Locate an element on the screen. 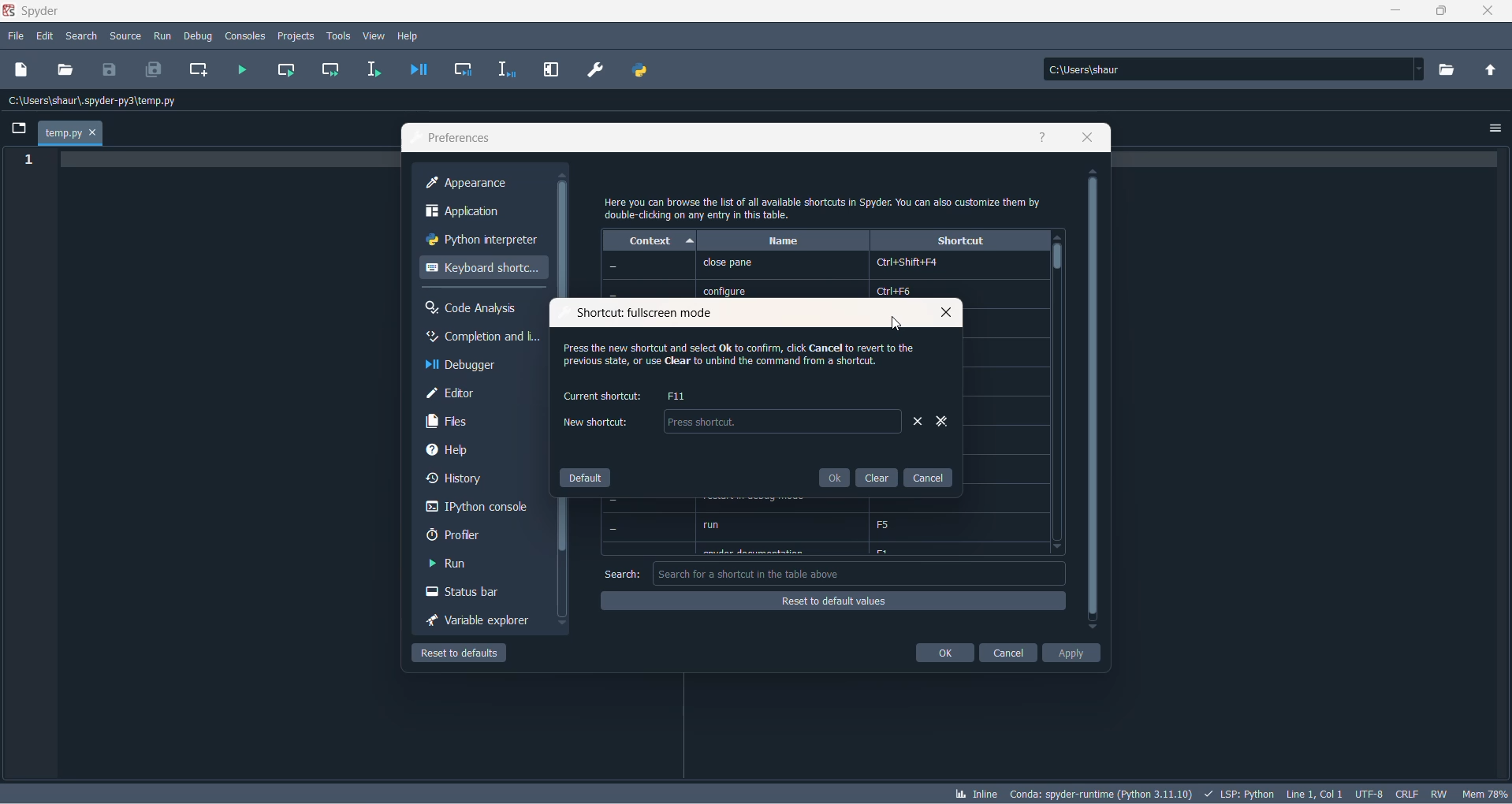 Image resolution: width=1512 pixels, height=804 pixels. search box is located at coordinates (862, 573).